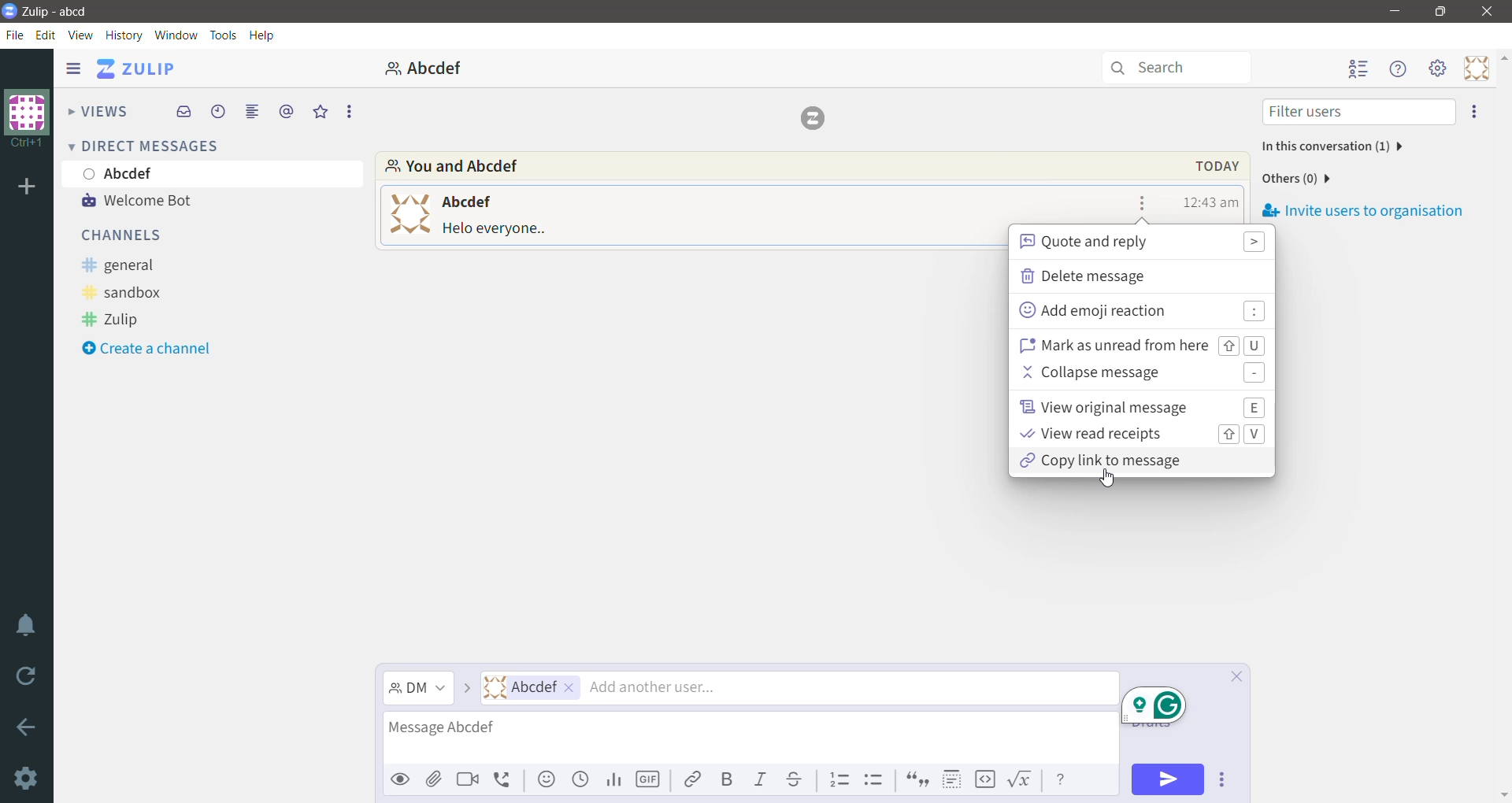  Describe the element at coordinates (348, 111) in the screenshot. I see `More Options` at that location.